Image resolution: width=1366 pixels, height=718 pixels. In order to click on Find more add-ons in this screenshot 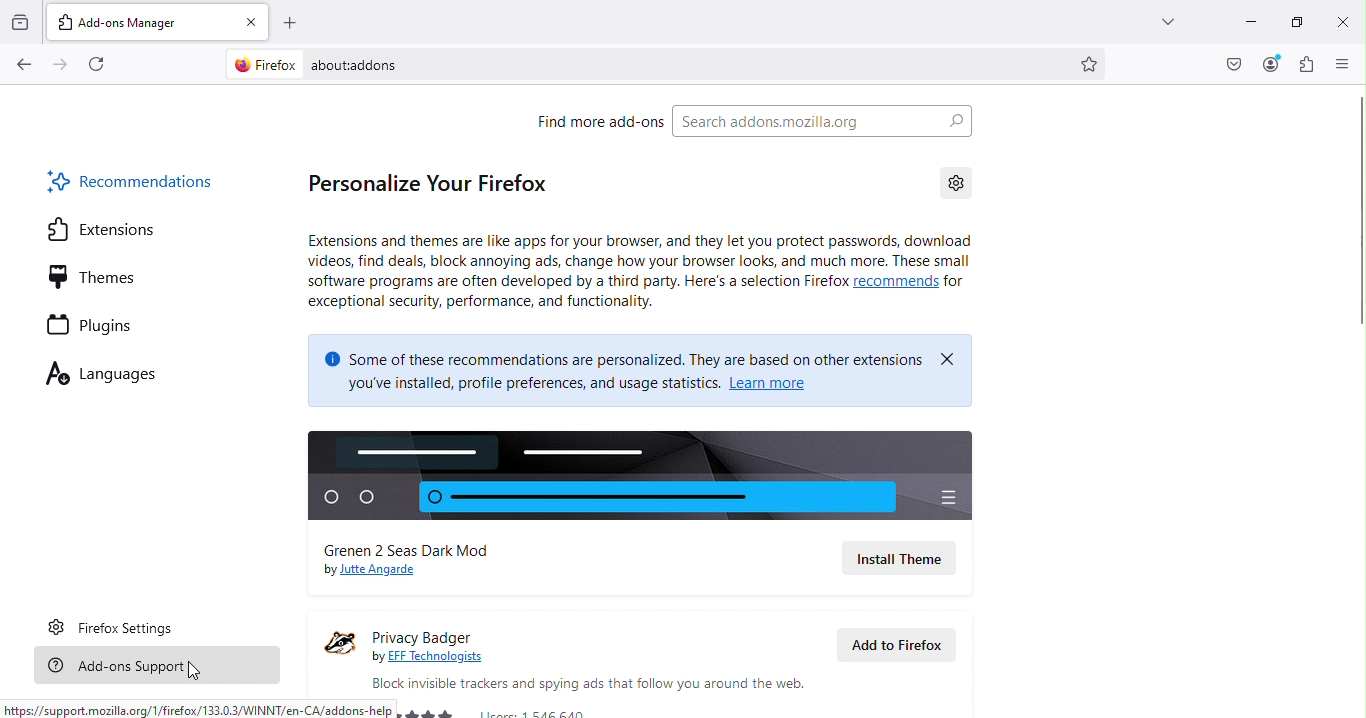, I will do `click(589, 122)`.